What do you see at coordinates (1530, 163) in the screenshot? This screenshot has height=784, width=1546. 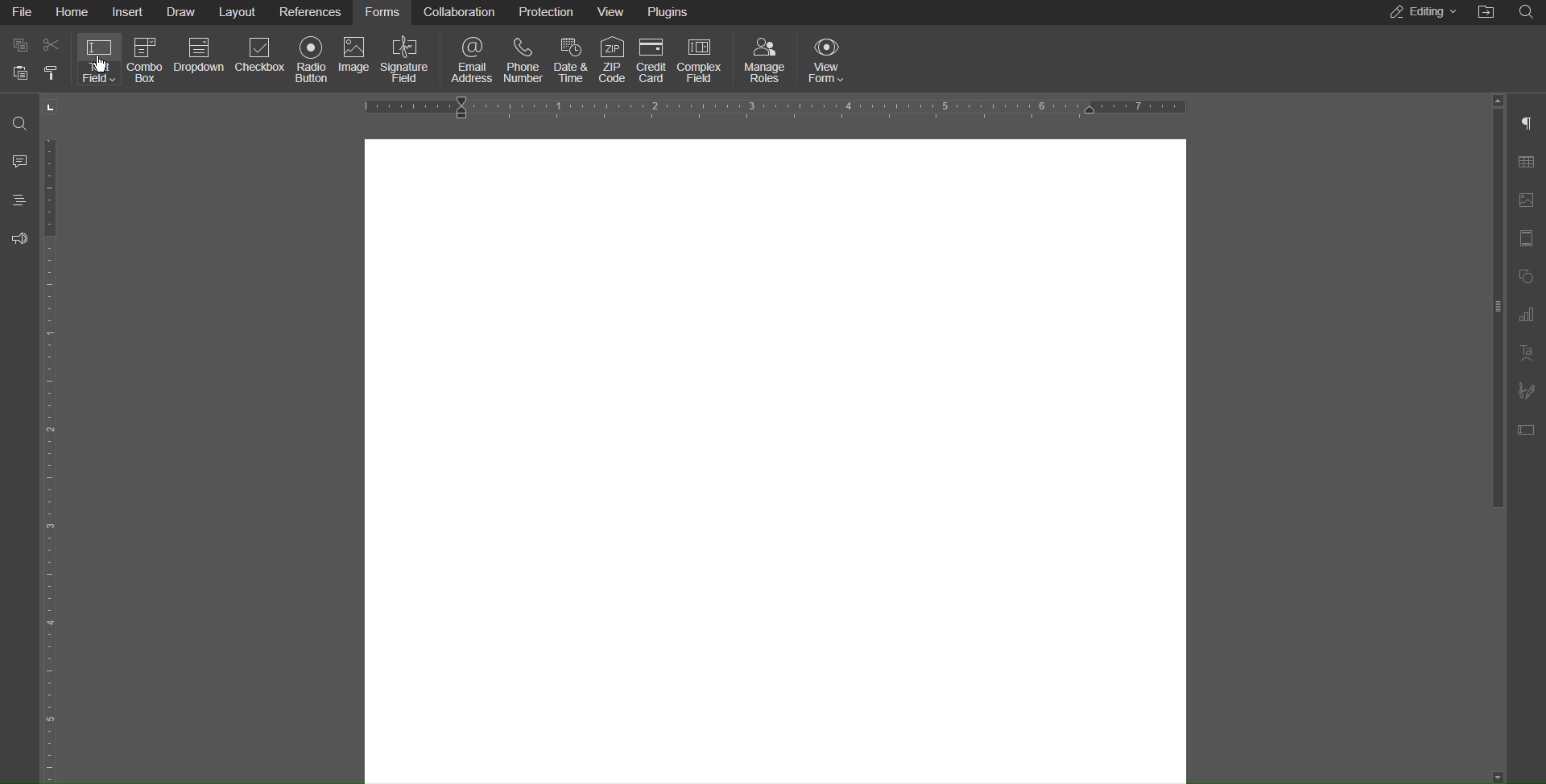 I see `Table Settings` at bounding box center [1530, 163].